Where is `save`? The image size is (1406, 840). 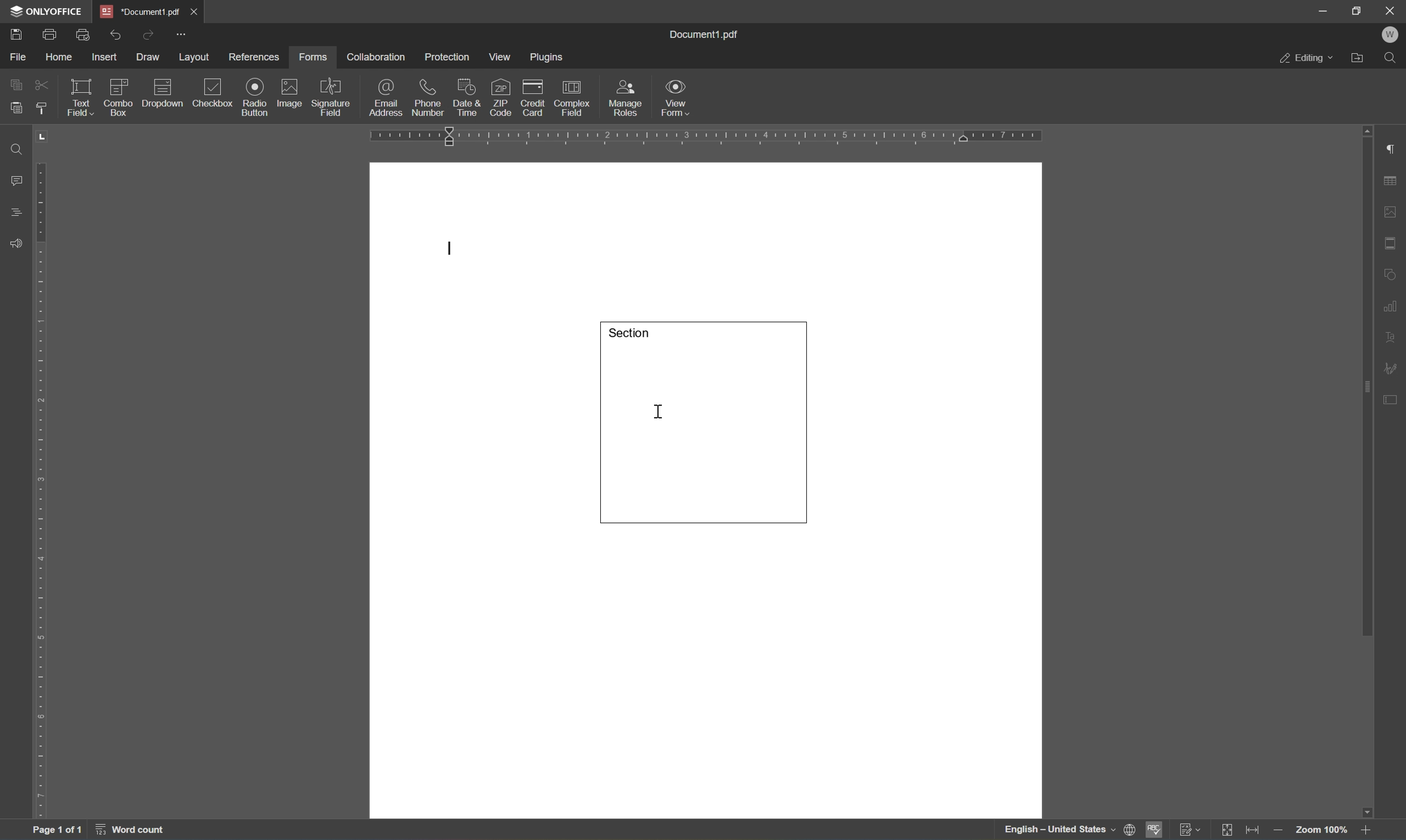
save is located at coordinates (21, 34).